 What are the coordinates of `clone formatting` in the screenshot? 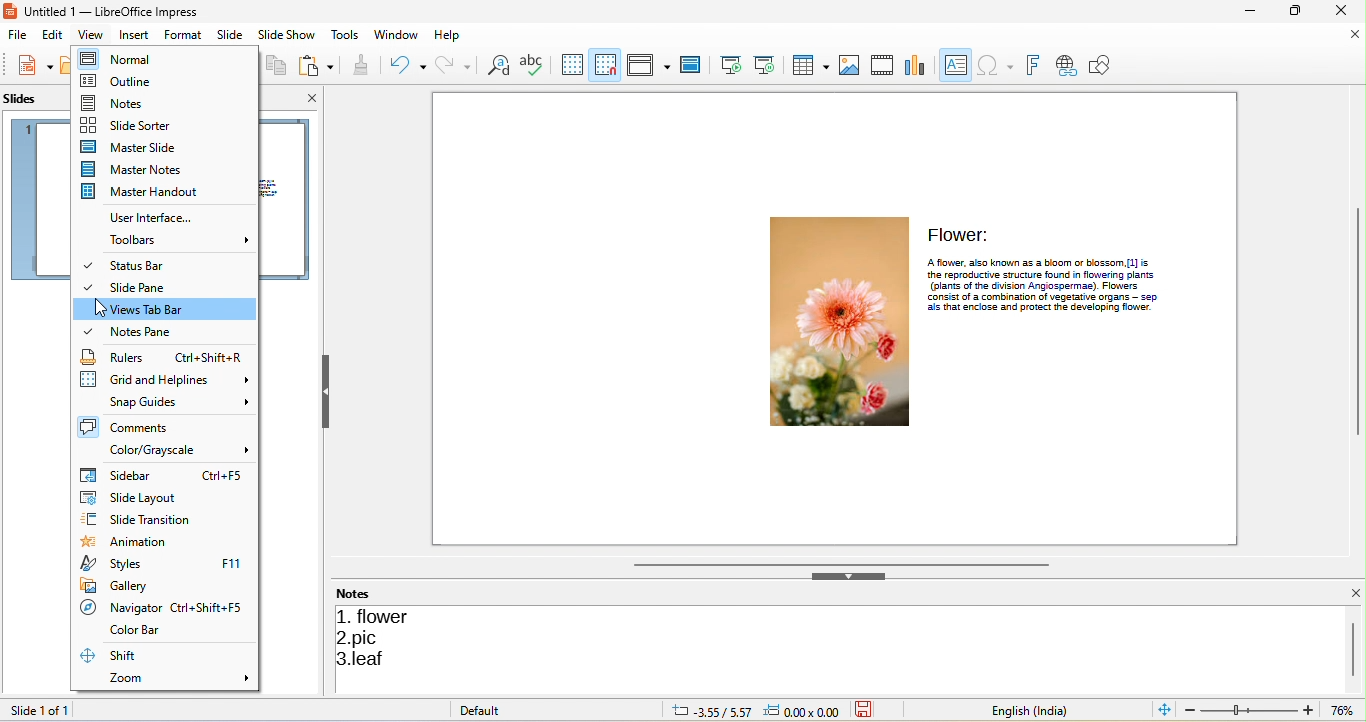 It's located at (359, 65).